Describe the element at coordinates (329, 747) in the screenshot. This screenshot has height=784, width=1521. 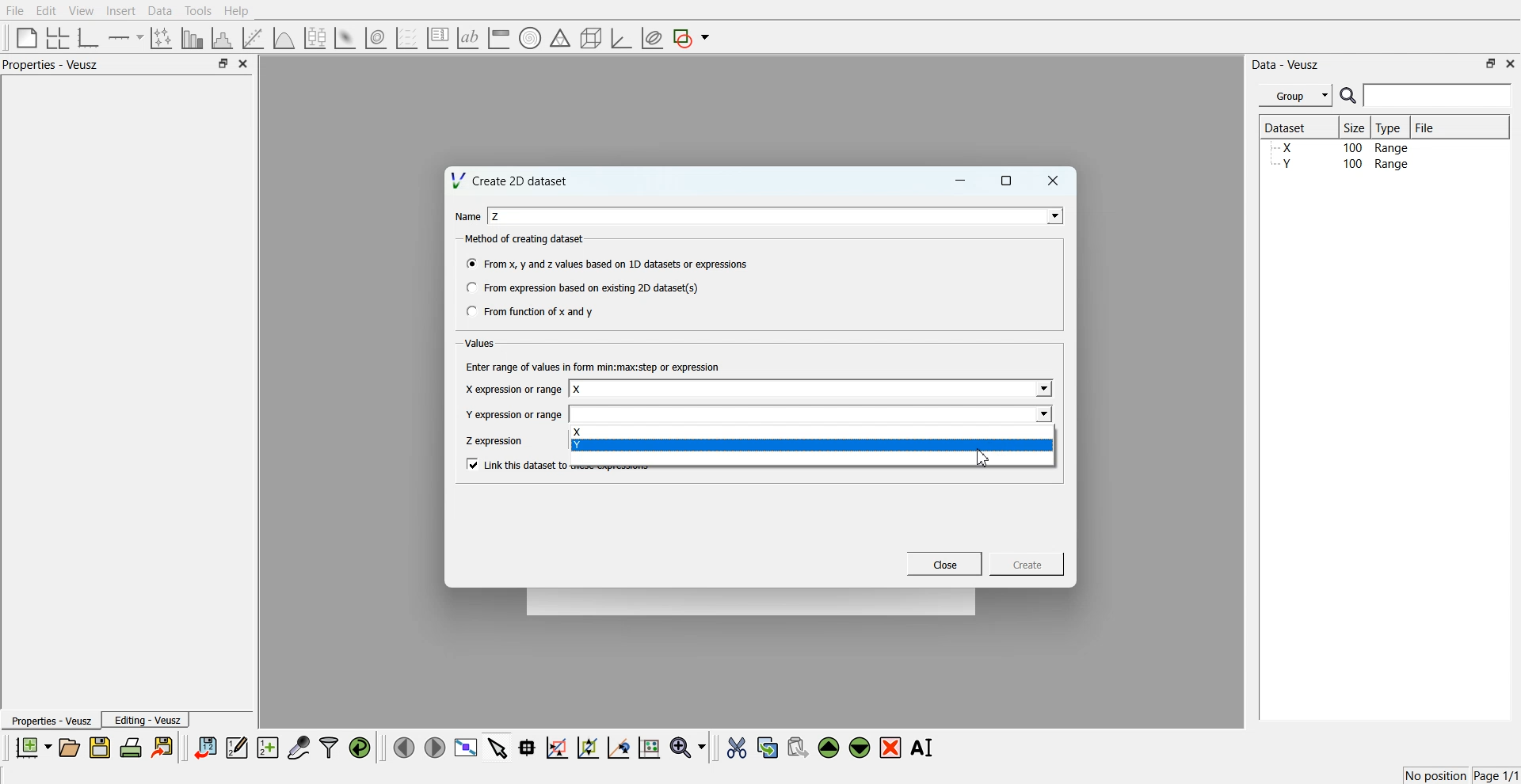
I see `Filter dataset` at that location.